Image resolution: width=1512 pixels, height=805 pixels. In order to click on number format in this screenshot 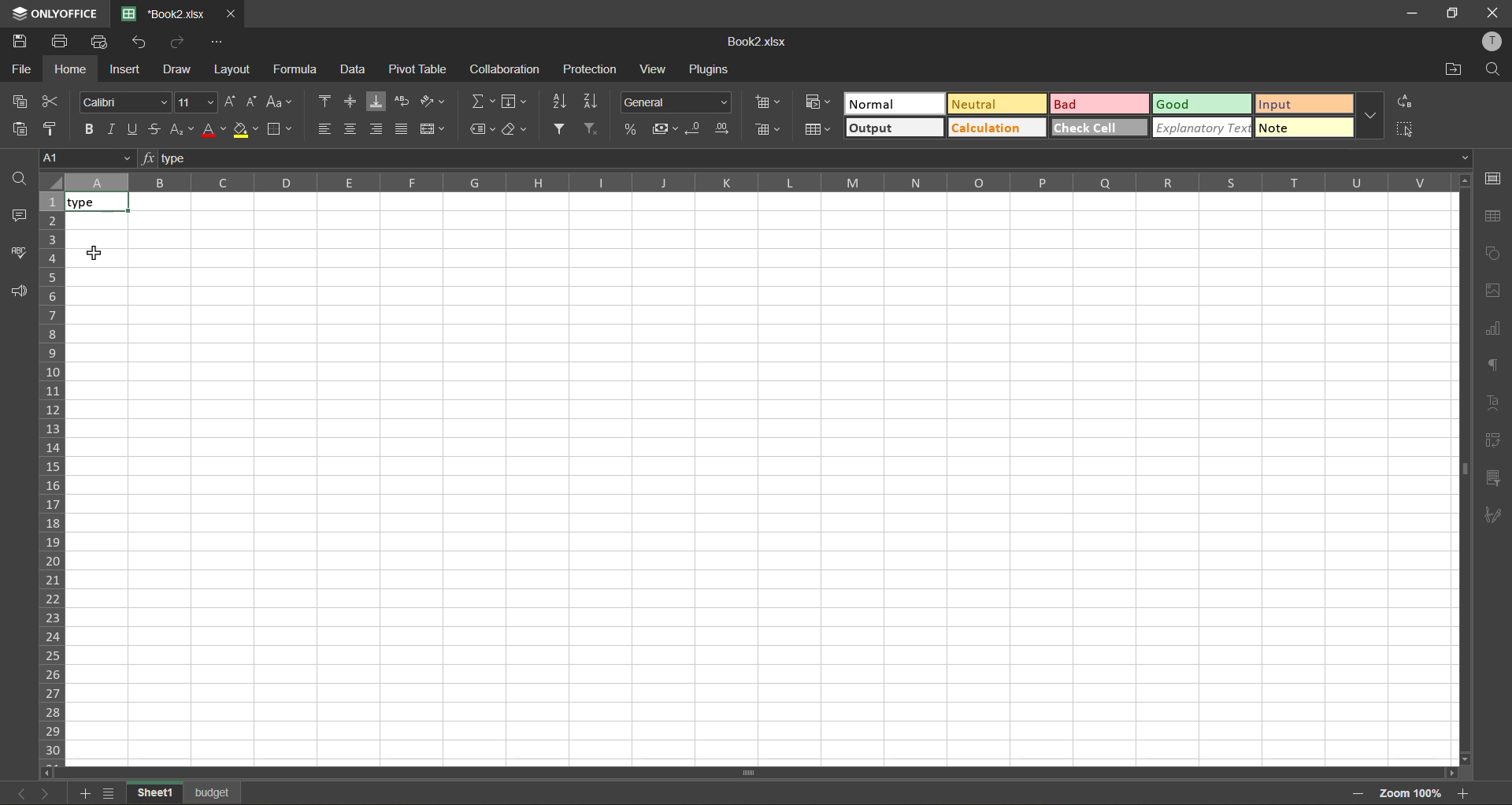, I will do `click(676, 102)`.